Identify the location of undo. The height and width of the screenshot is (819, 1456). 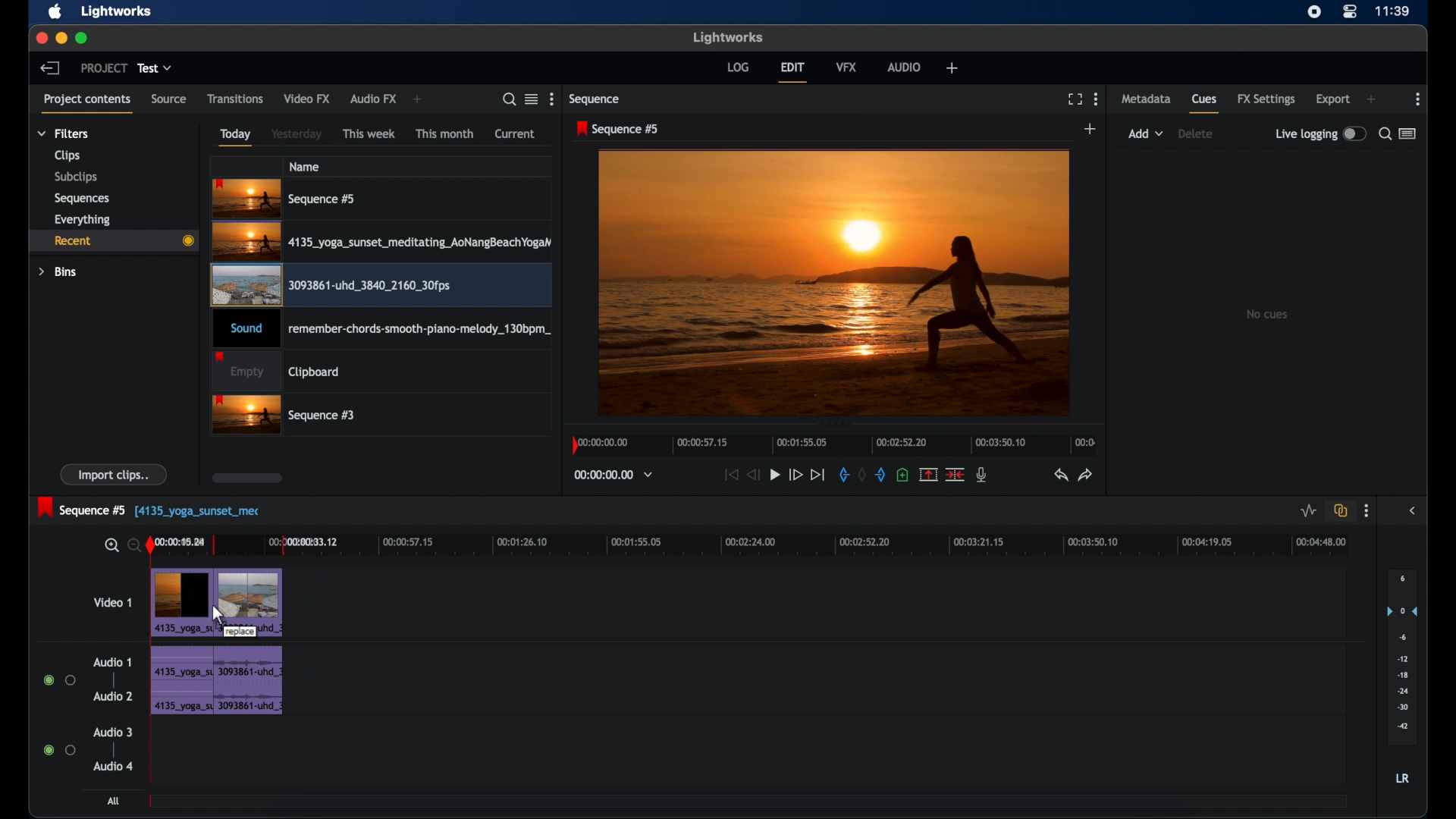
(1059, 475).